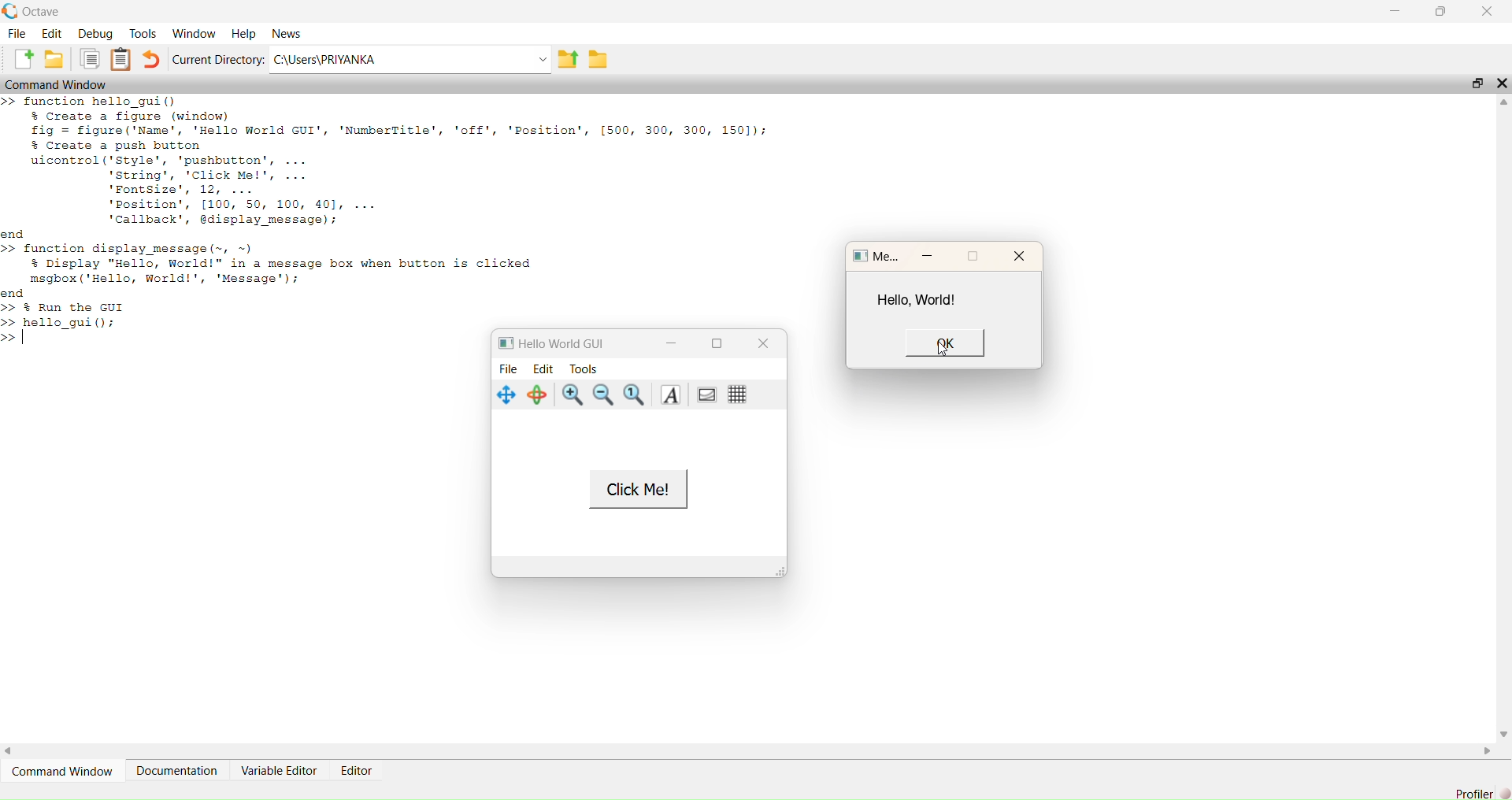  Describe the element at coordinates (600, 59) in the screenshot. I see `save` at that location.